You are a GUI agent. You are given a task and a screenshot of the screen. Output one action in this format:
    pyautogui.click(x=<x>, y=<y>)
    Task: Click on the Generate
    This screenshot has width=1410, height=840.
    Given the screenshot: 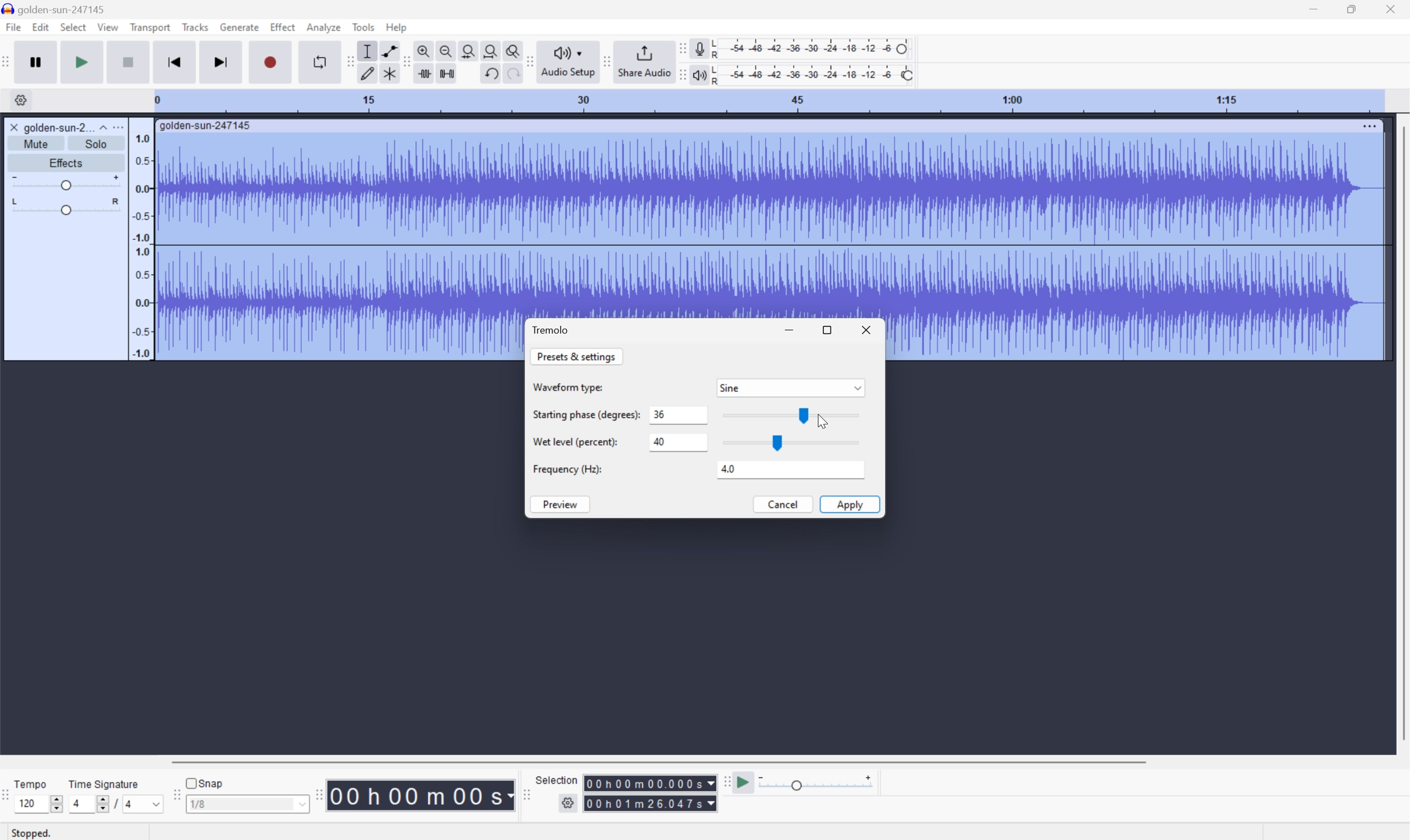 What is the action you would take?
    pyautogui.click(x=241, y=28)
    